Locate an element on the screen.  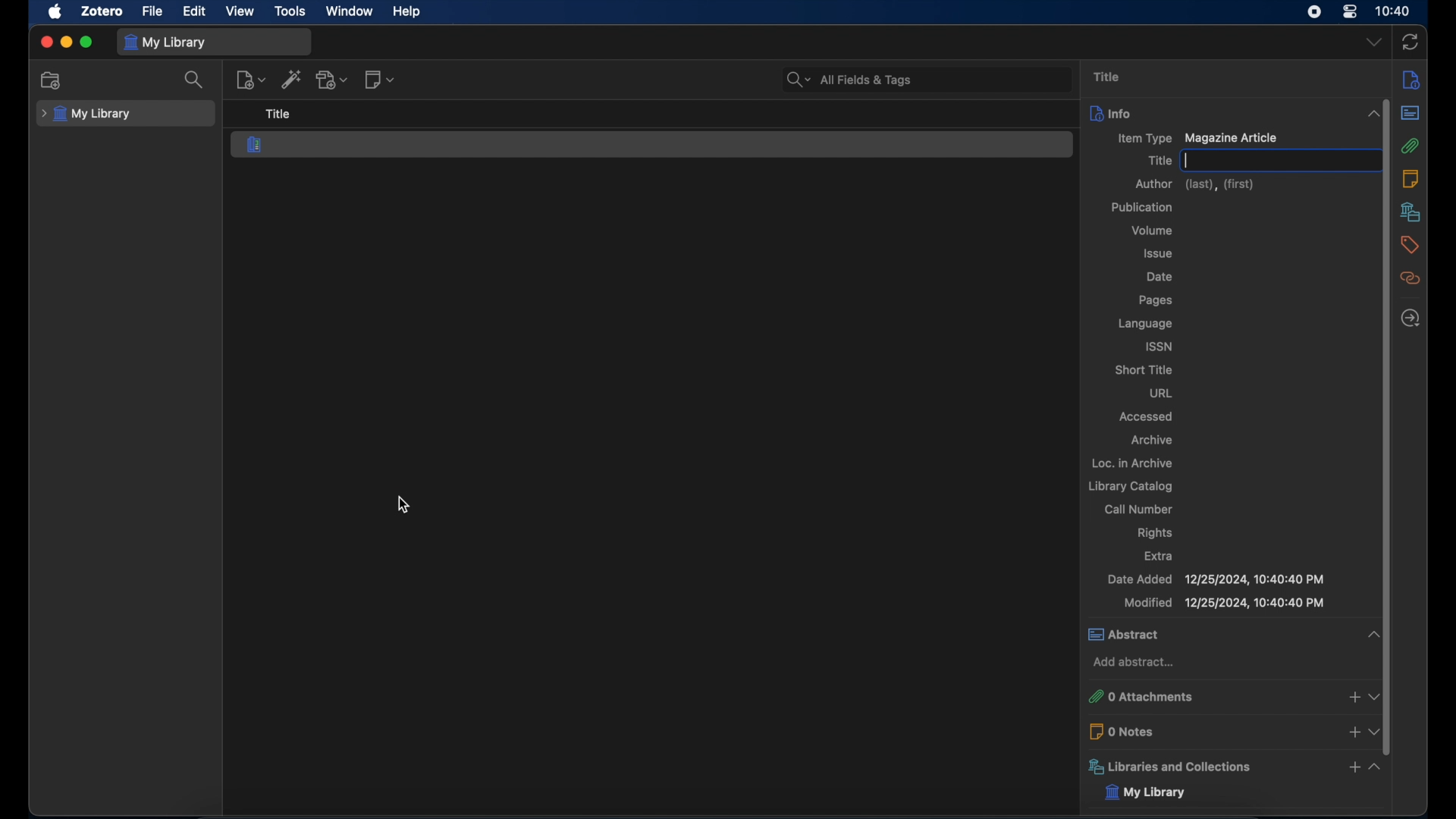
my library is located at coordinates (86, 115).